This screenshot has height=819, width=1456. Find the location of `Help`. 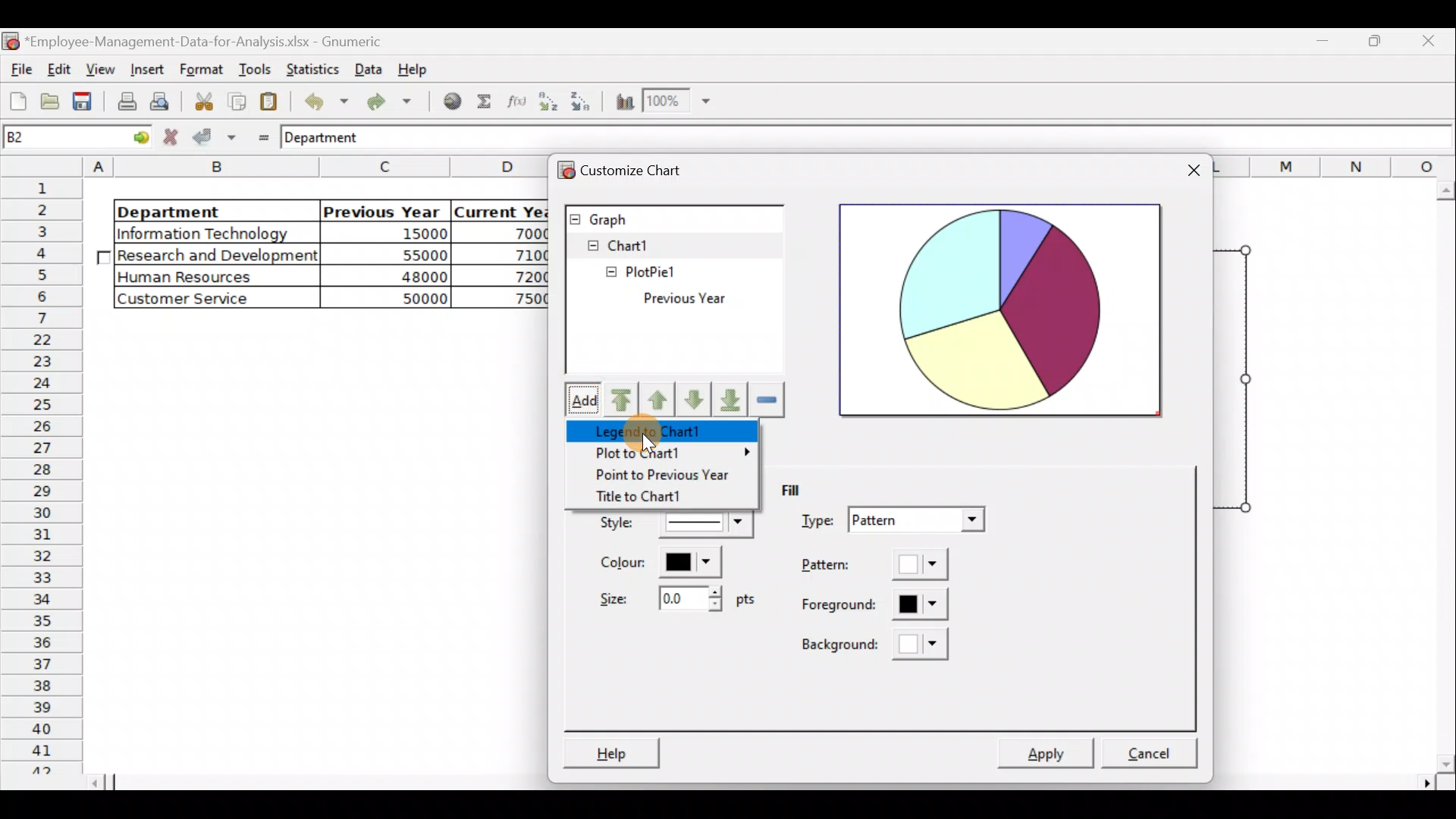

Help is located at coordinates (416, 73).